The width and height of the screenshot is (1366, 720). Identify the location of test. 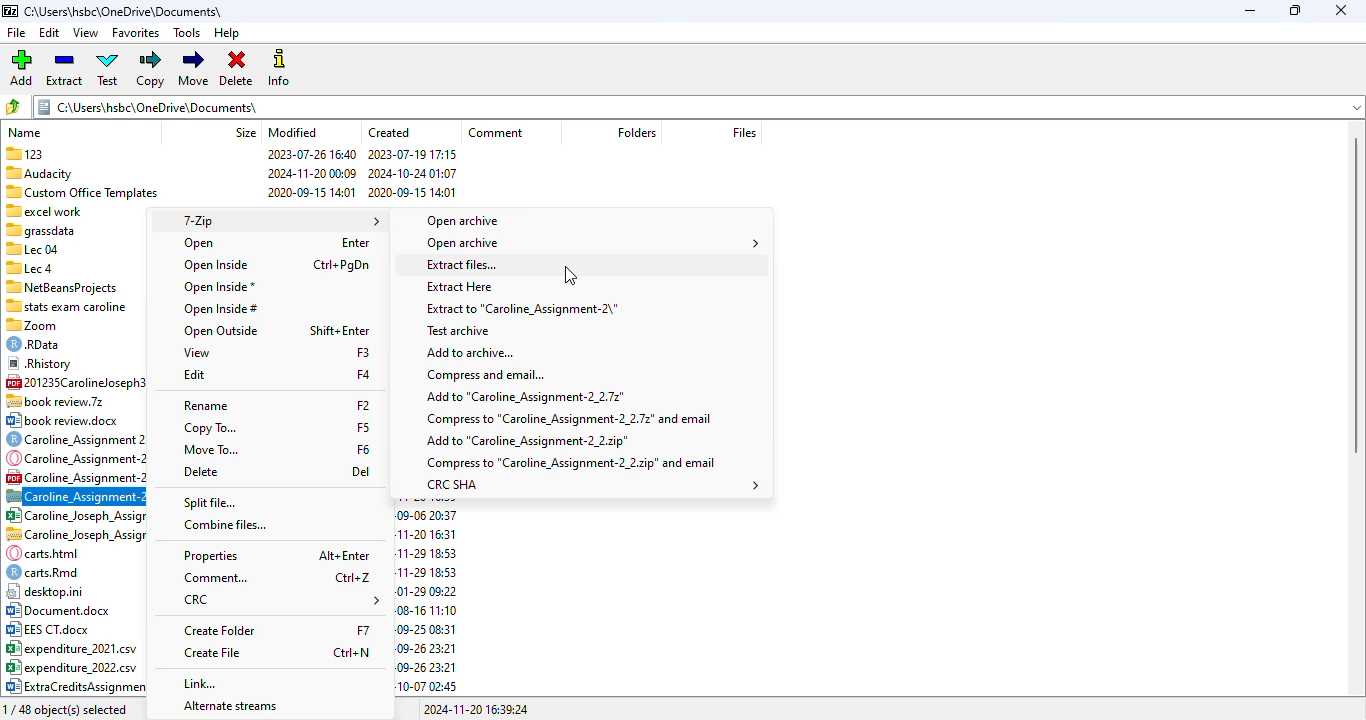
(108, 68).